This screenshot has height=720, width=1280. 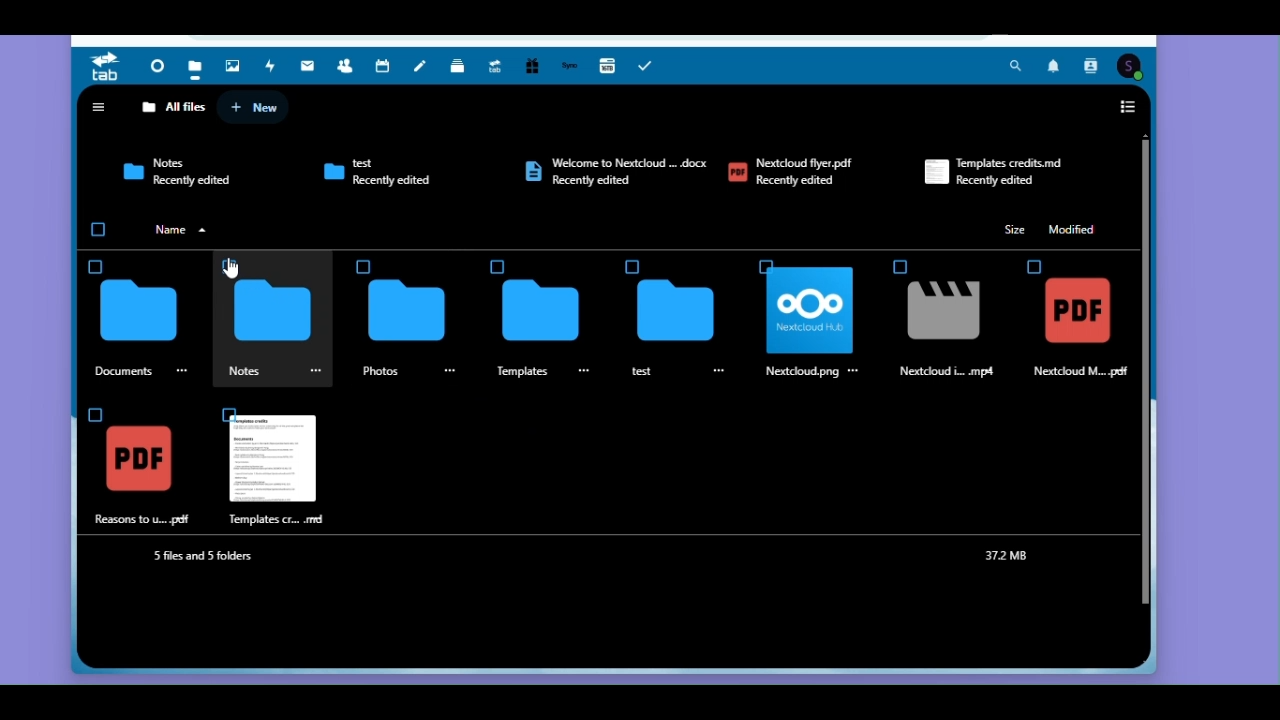 I want to click on wwe Nextcloud flyer.pdf, so click(x=635, y=160).